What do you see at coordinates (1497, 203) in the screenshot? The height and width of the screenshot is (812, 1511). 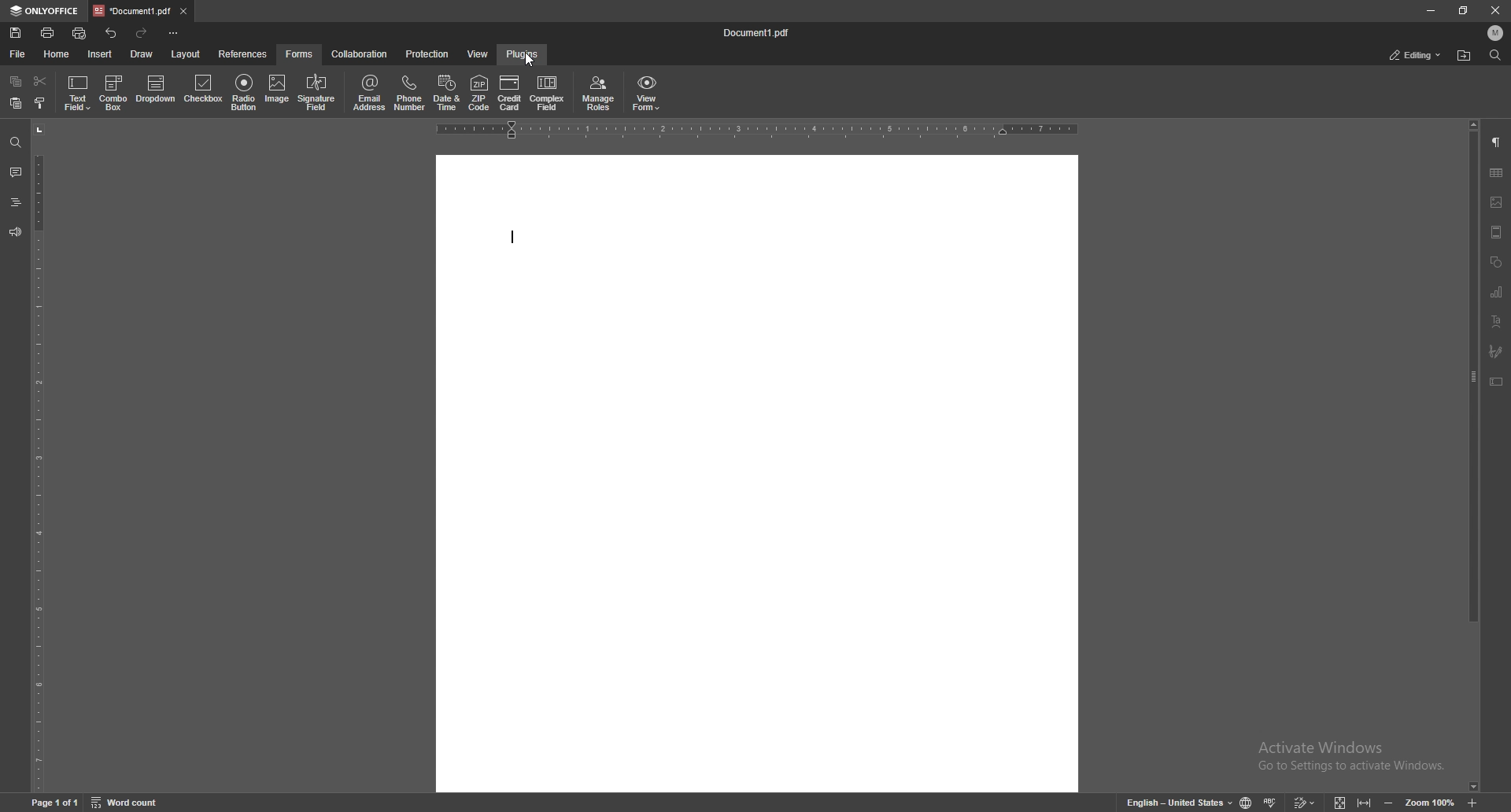 I see `image` at bounding box center [1497, 203].